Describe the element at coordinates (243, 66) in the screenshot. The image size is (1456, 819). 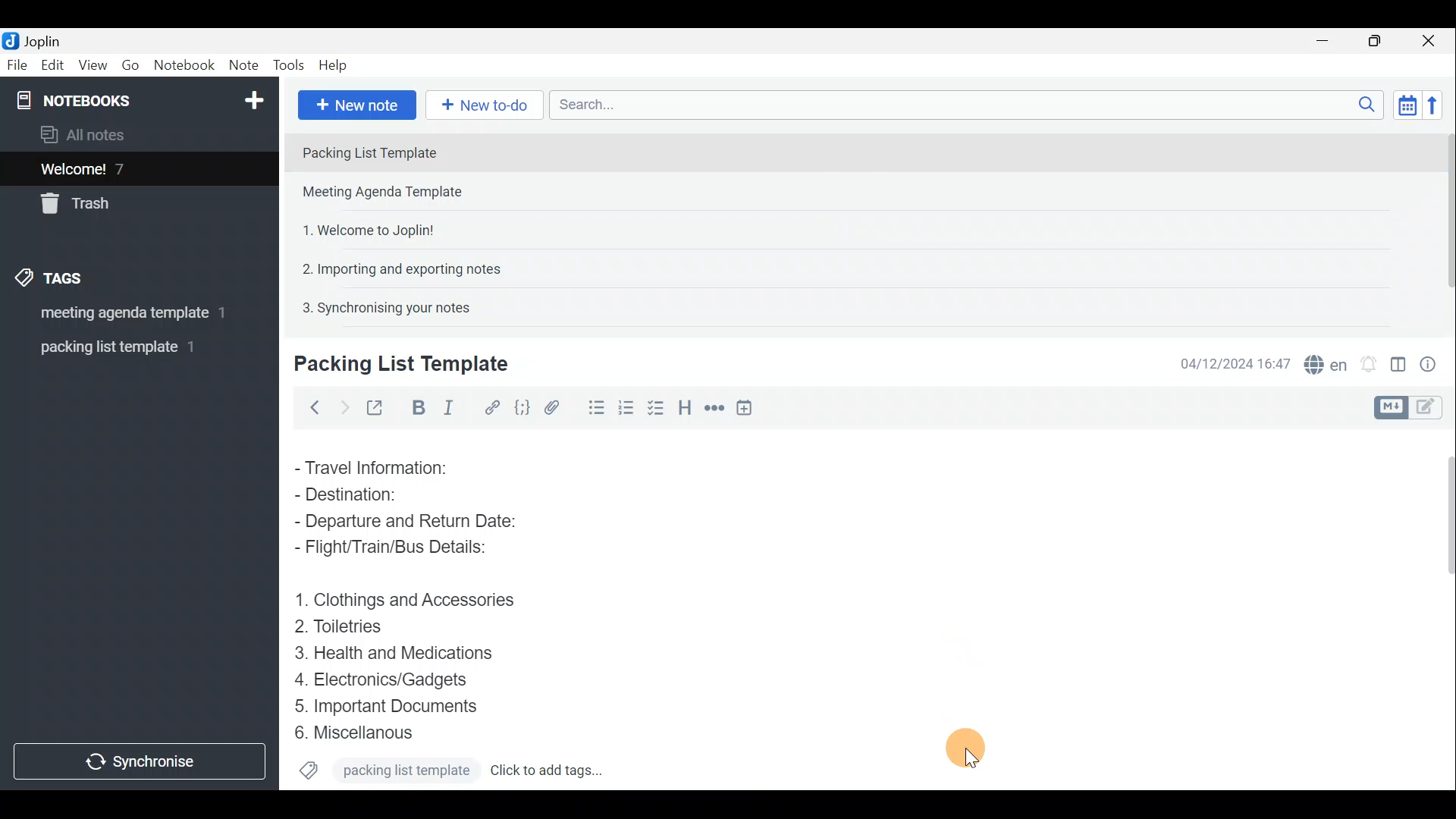
I see `Note` at that location.